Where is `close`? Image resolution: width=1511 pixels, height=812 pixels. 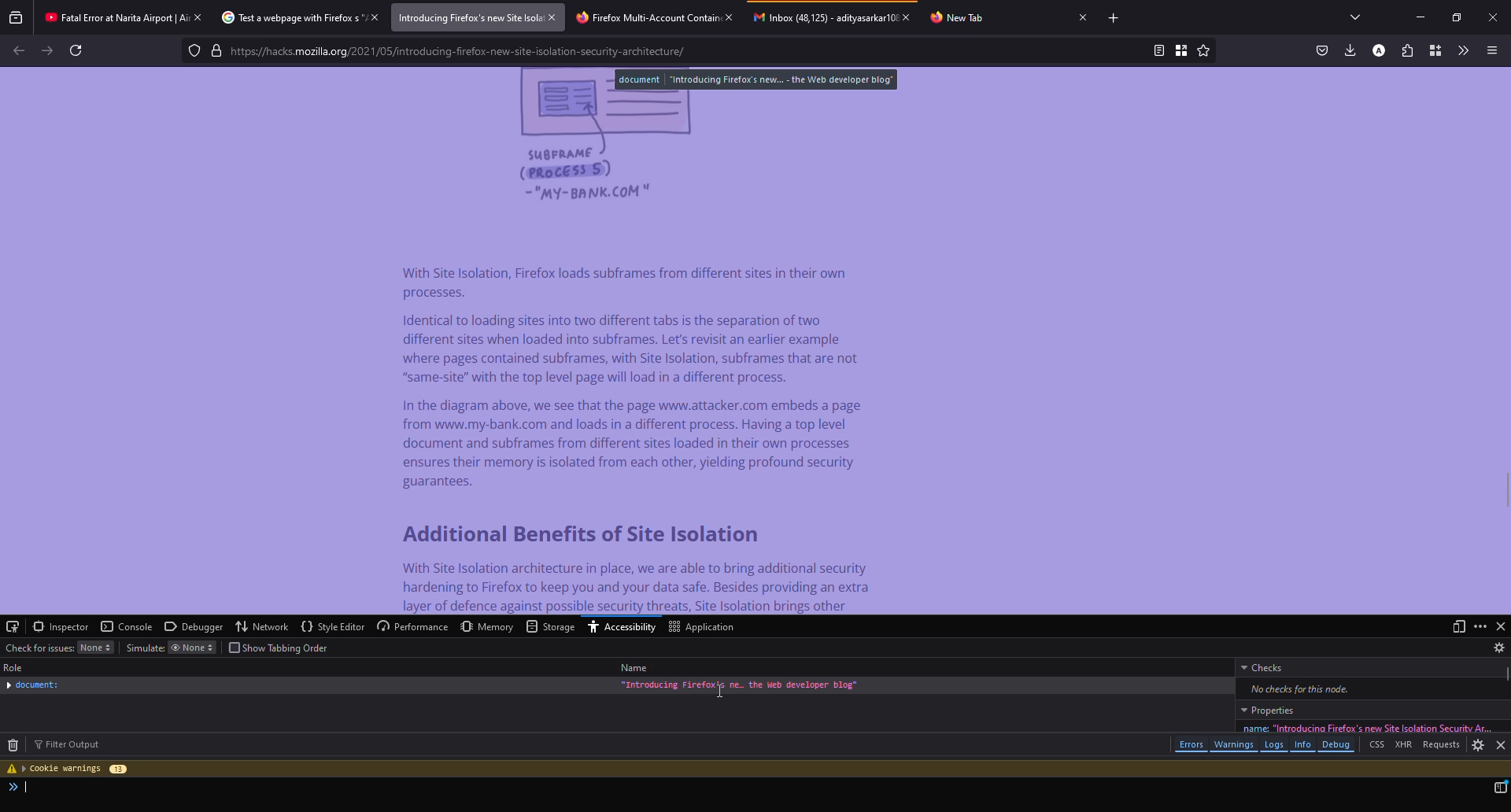
close is located at coordinates (553, 17).